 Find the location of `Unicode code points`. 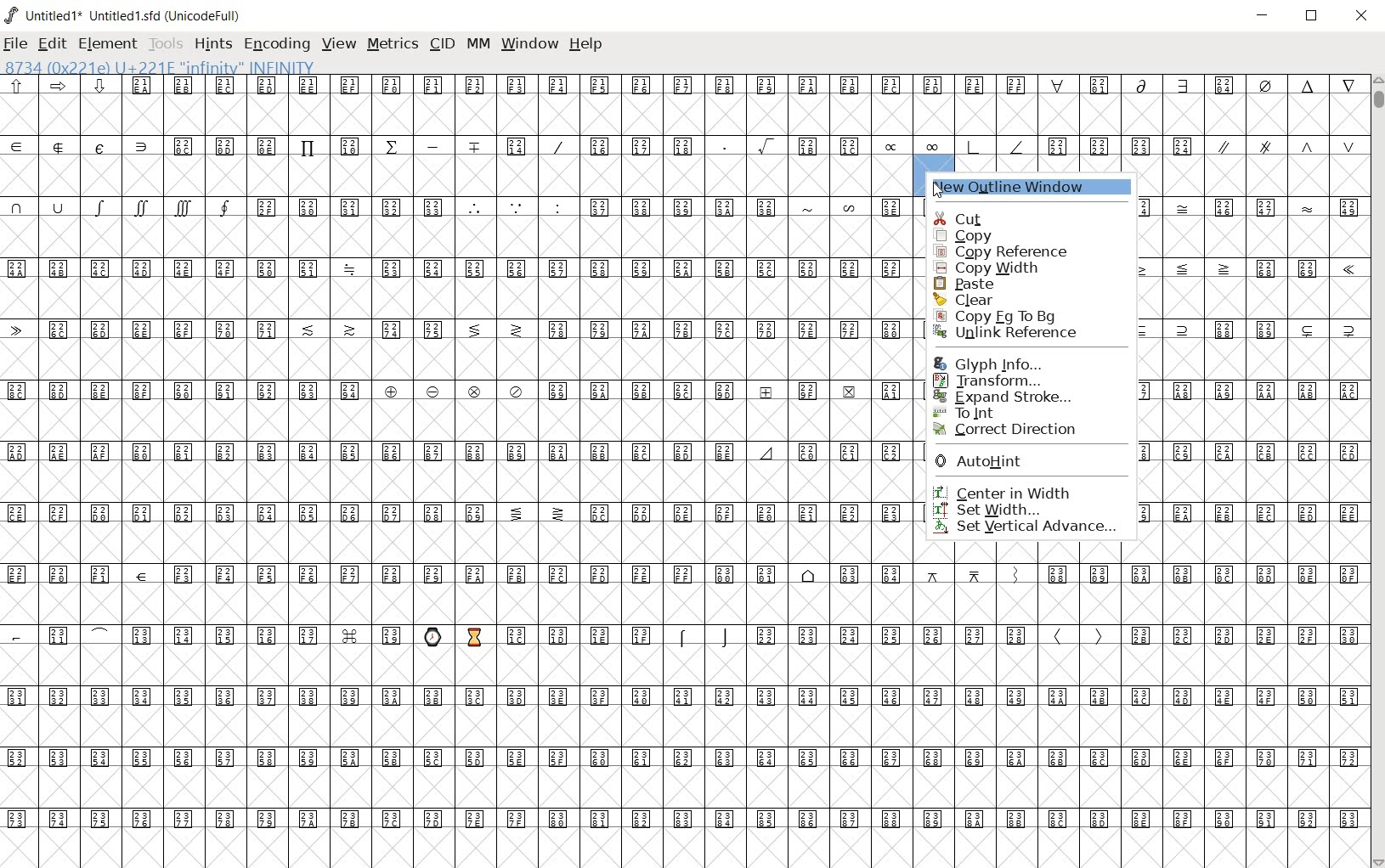

Unicode code points is located at coordinates (684, 696).